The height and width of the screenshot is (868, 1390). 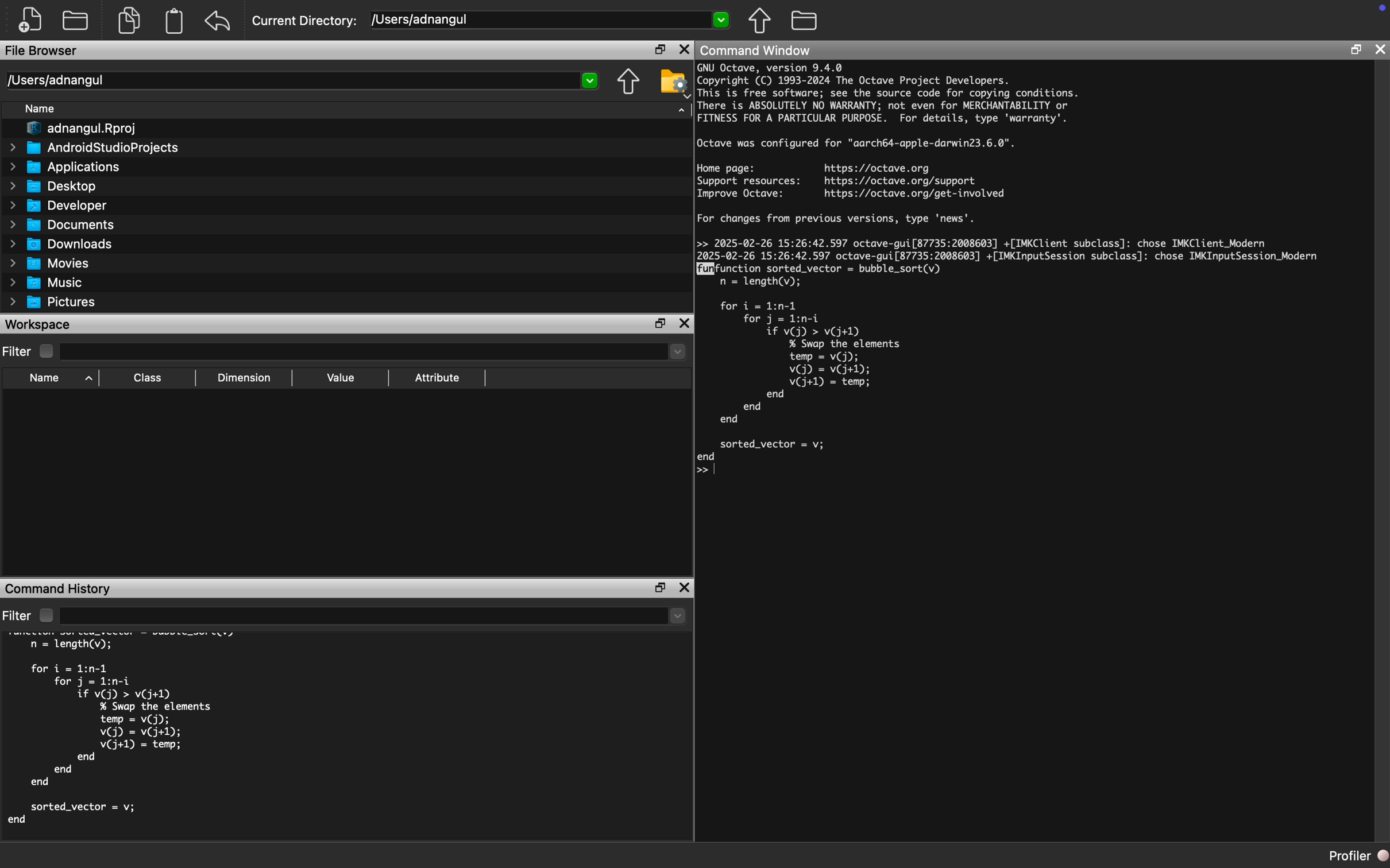 What do you see at coordinates (760, 20) in the screenshot?
I see `Parent Directory` at bounding box center [760, 20].